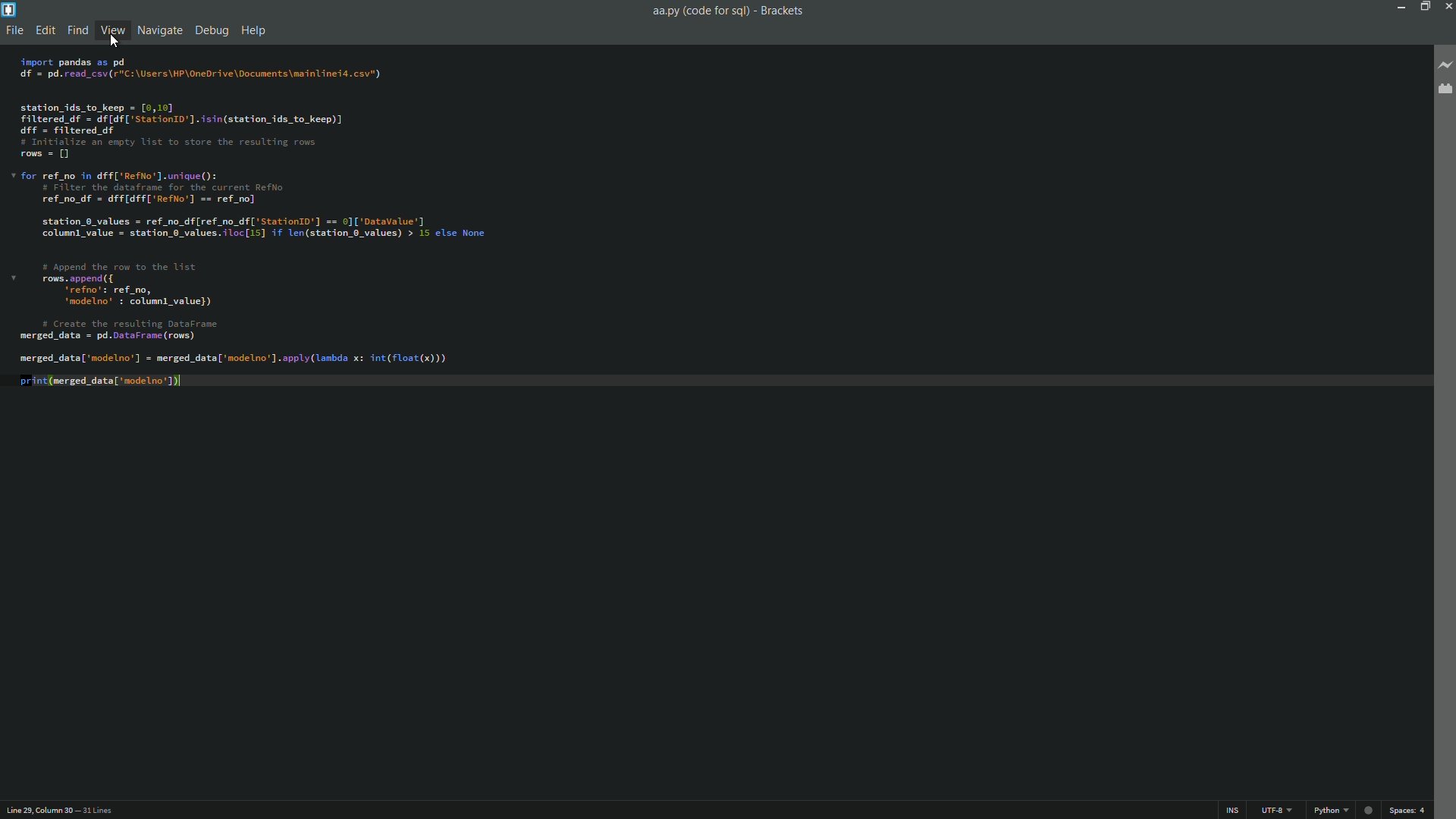  I want to click on minimize button, so click(1396, 6).